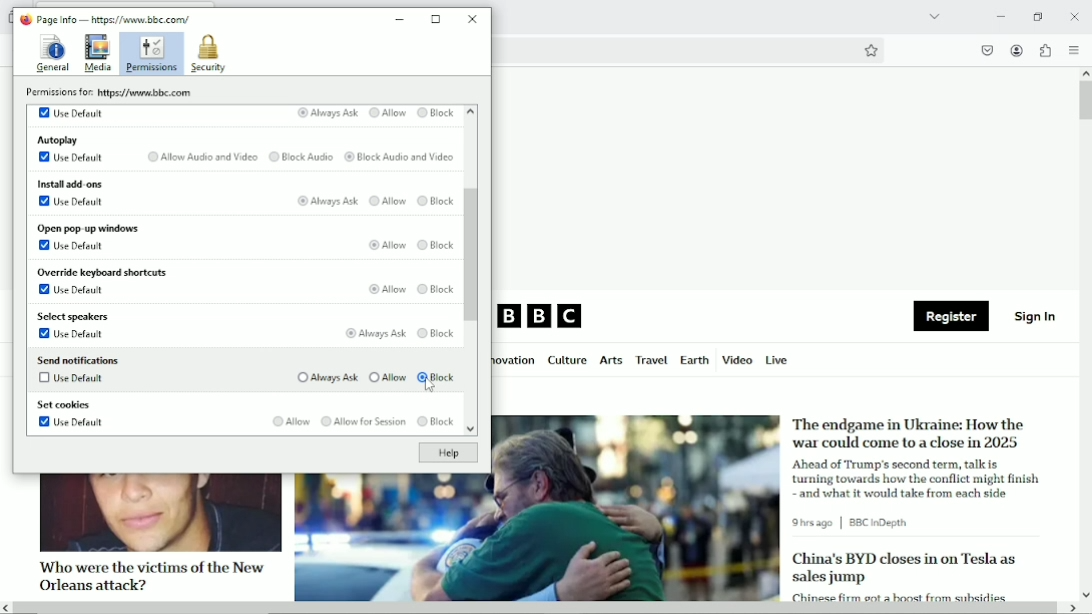 The image size is (1092, 614). Describe the element at coordinates (1085, 101) in the screenshot. I see `Vertical scrollbar` at that location.